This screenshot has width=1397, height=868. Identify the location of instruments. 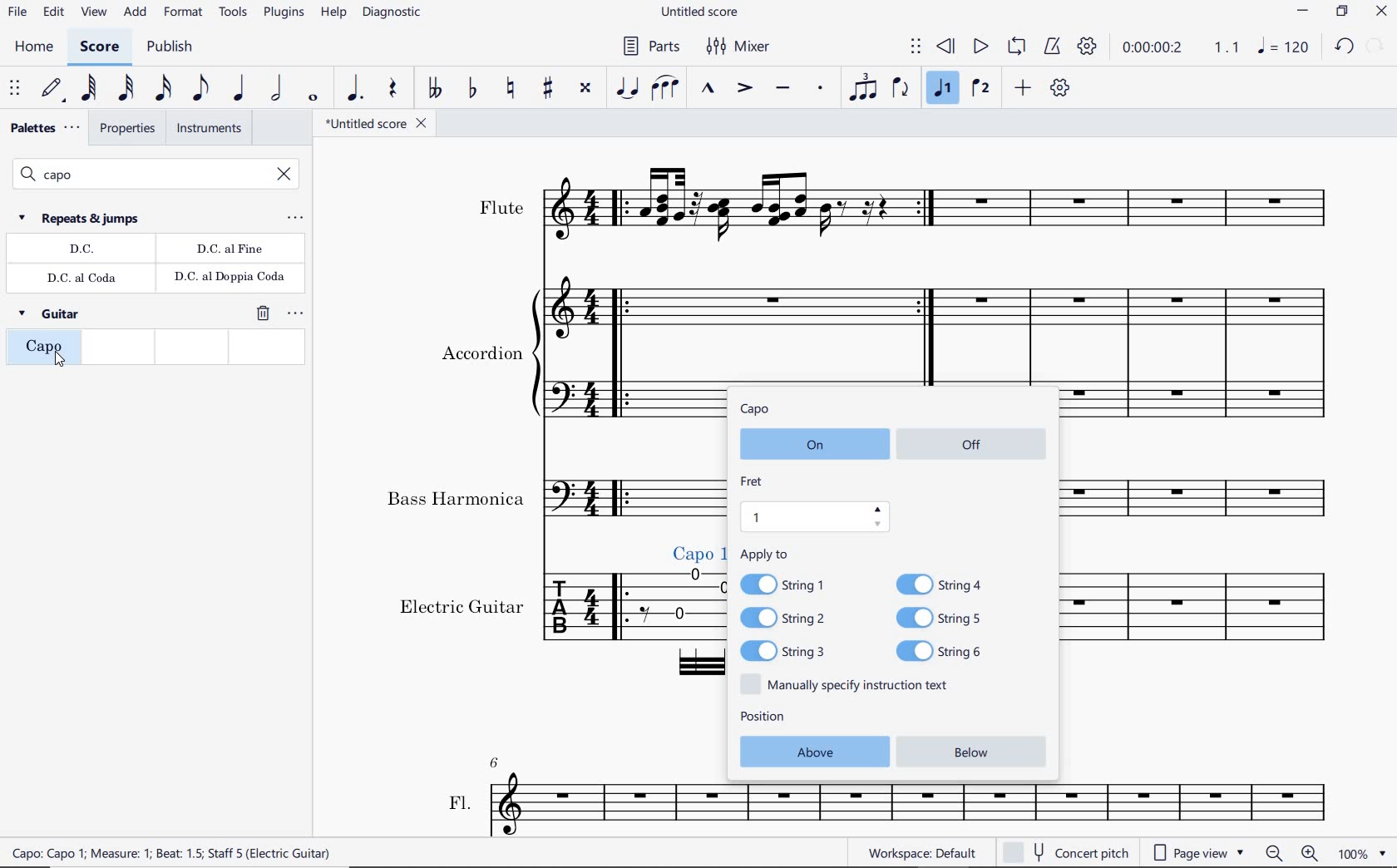
(208, 131).